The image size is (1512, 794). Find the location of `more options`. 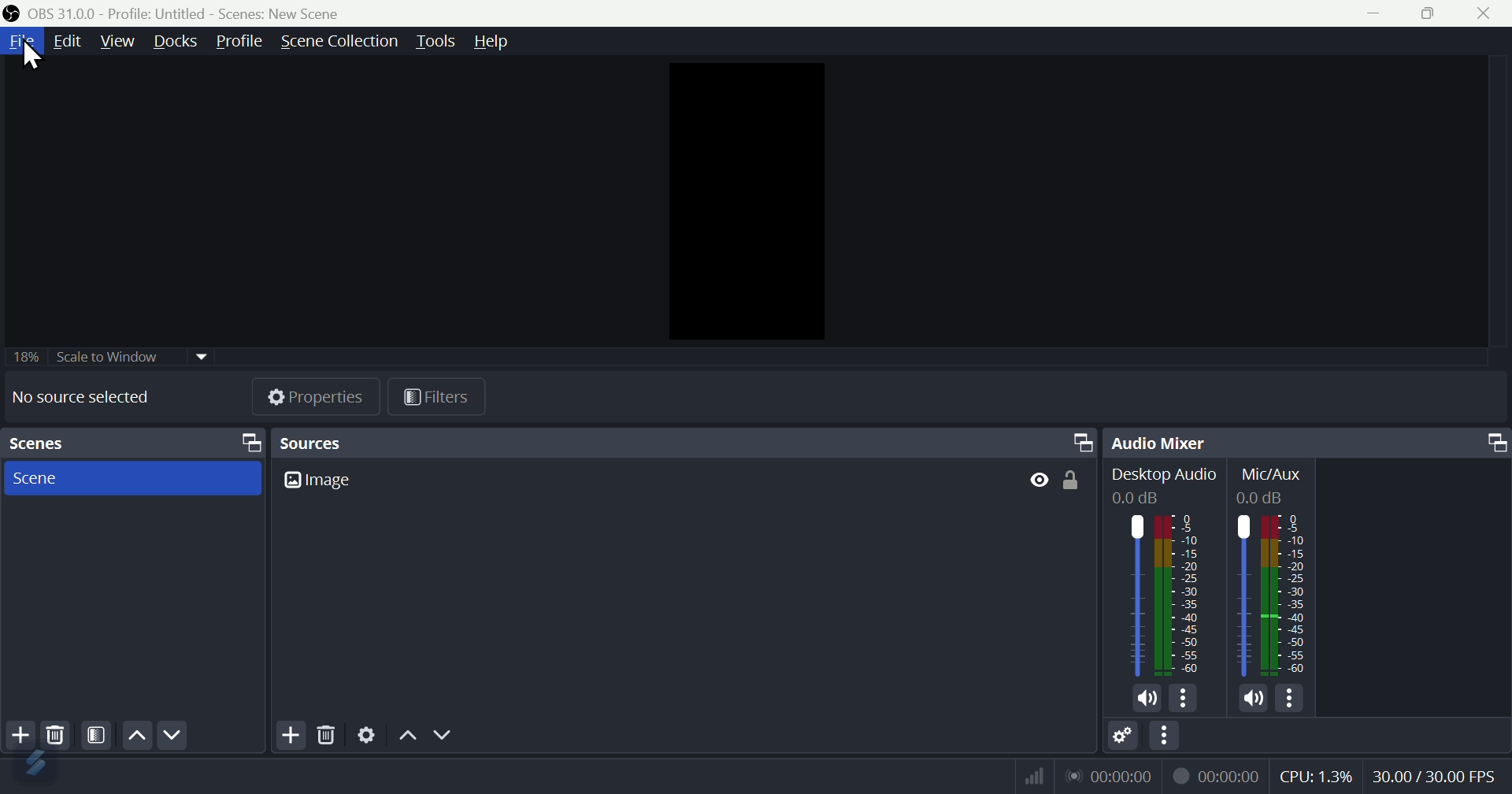

more options is located at coordinates (1292, 699).